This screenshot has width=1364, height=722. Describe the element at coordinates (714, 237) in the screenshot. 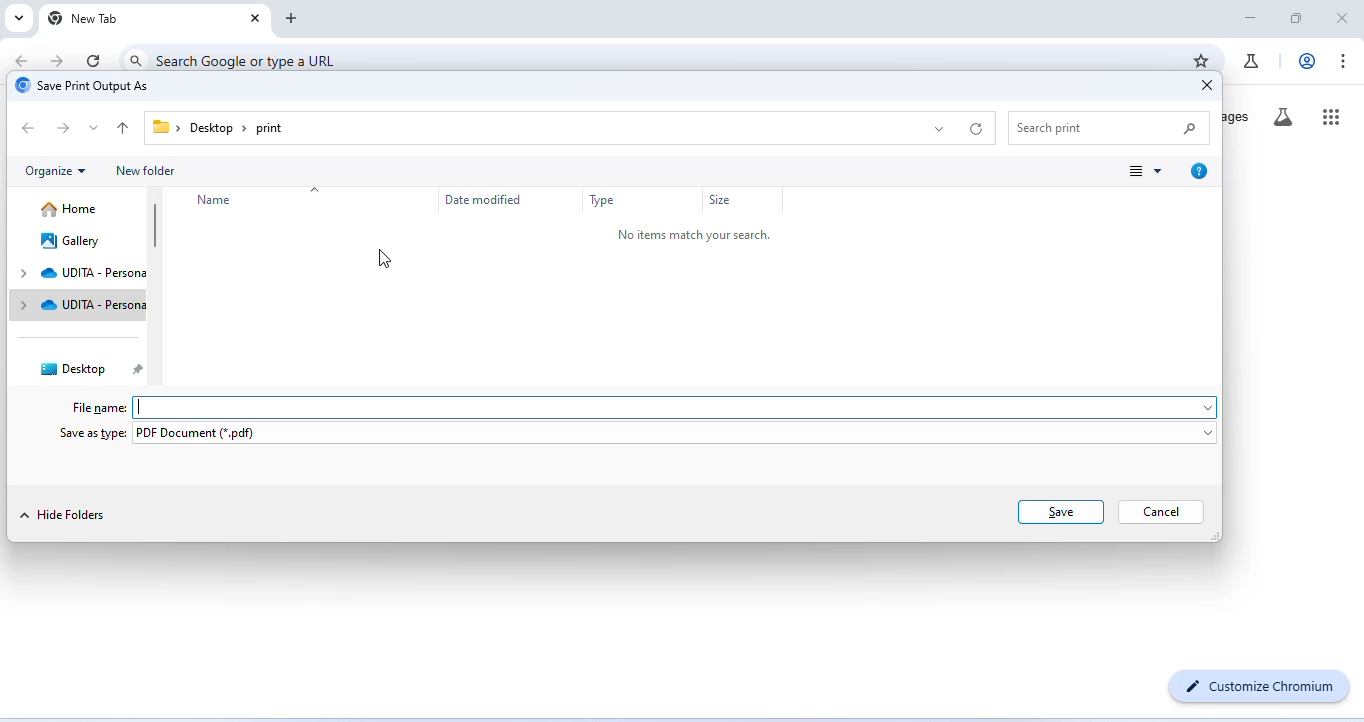

I see `no items match your search` at that location.